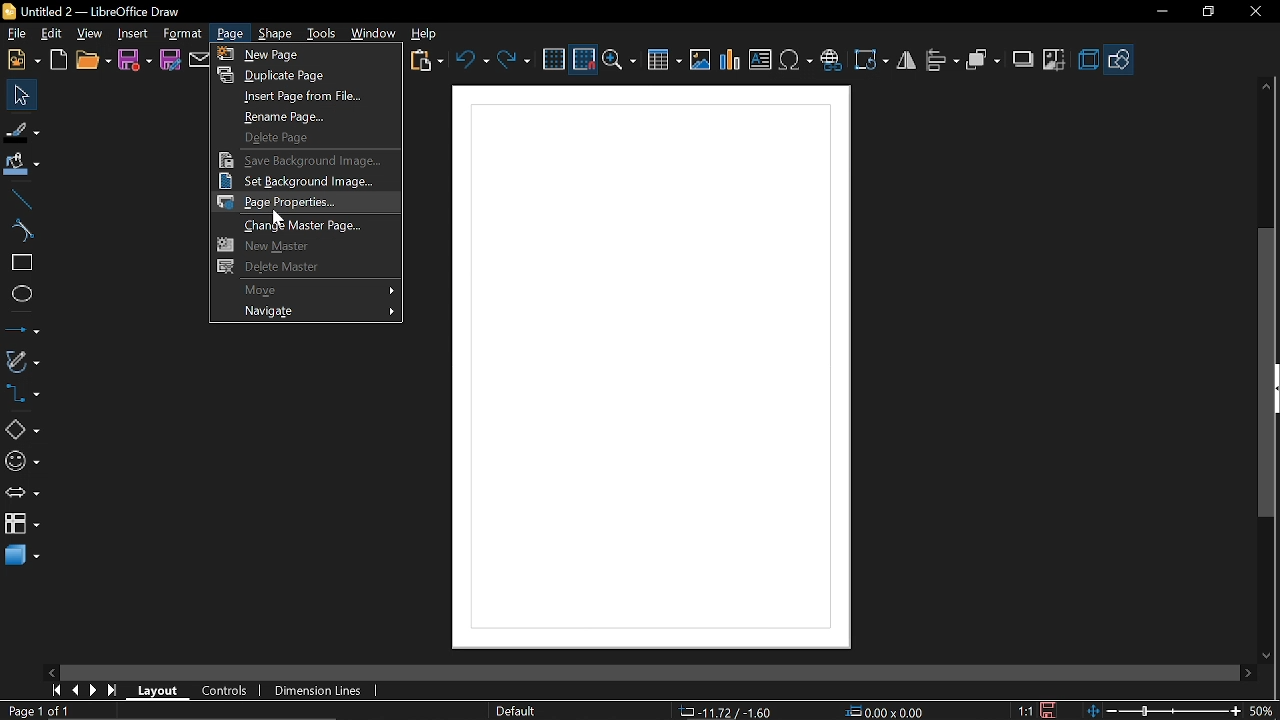 This screenshot has height=720, width=1280. What do you see at coordinates (1264, 654) in the screenshot?
I see `MOve down` at bounding box center [1264, 654].